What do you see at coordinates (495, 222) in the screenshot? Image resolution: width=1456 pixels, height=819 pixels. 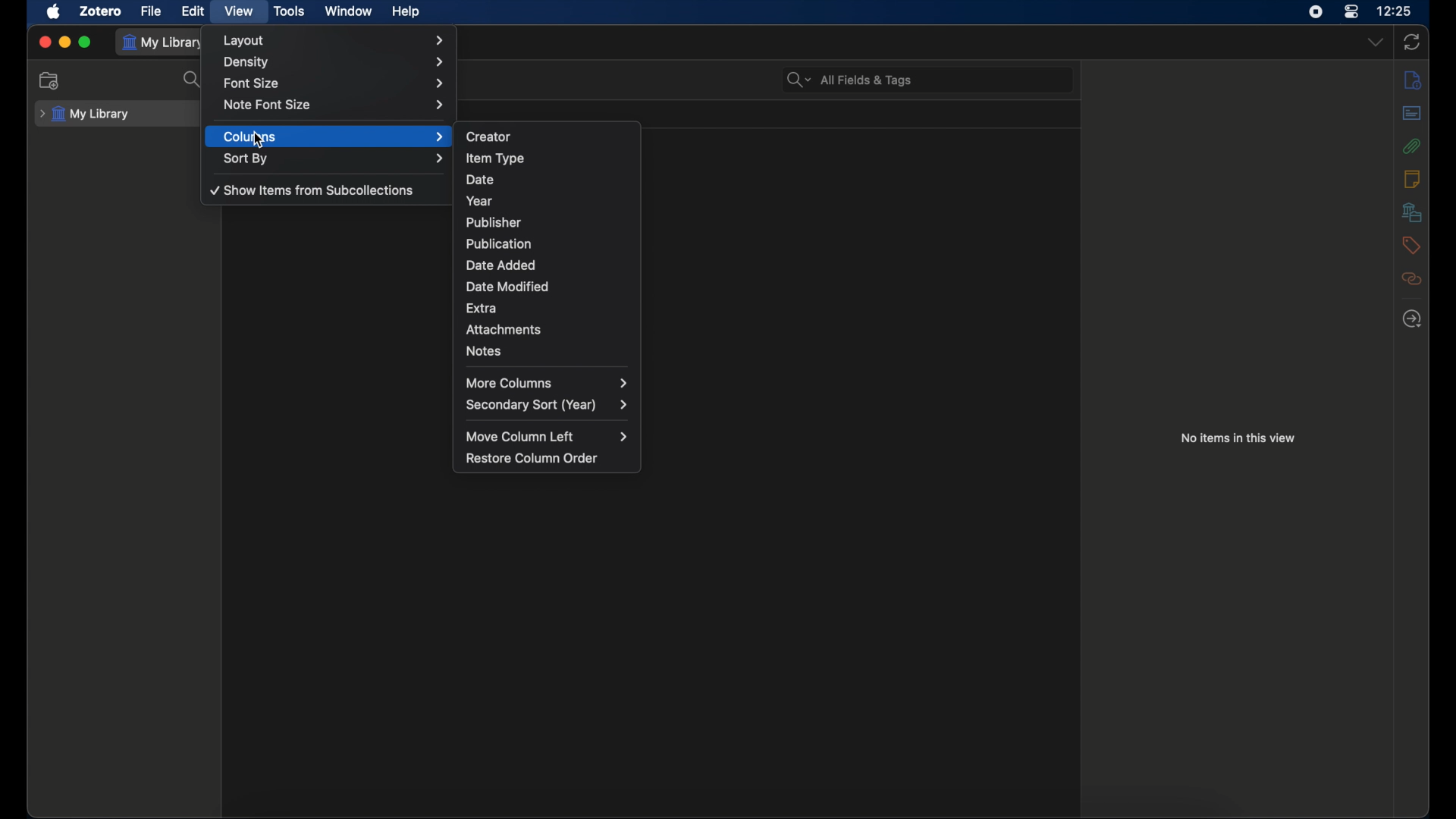 I see `publisher` at bounding box center [495, 222].